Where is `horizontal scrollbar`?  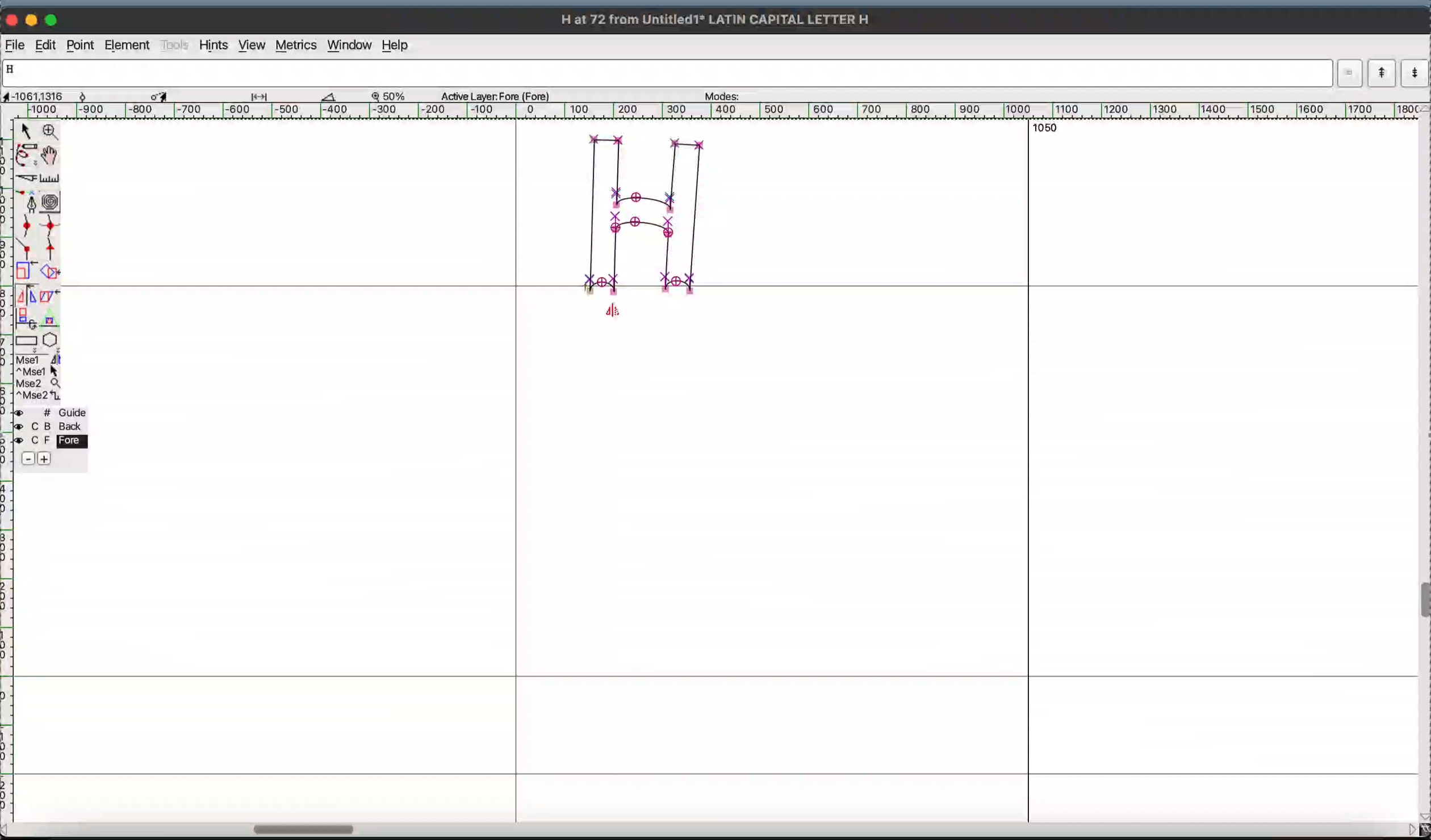 horizontal scrollbar is located at coordinates (710, 830).